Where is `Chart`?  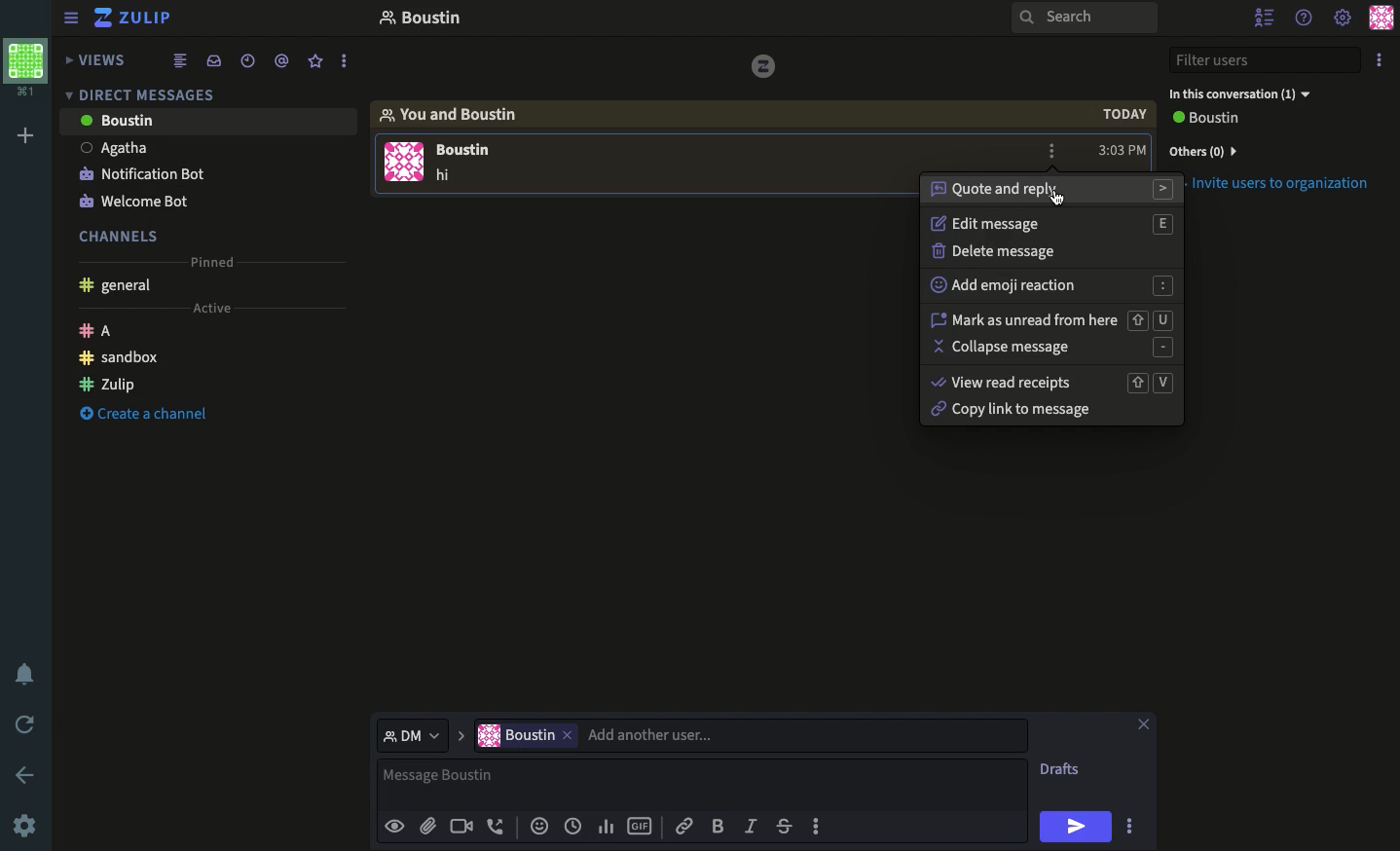
Chart is located at coordinates (604, 825).